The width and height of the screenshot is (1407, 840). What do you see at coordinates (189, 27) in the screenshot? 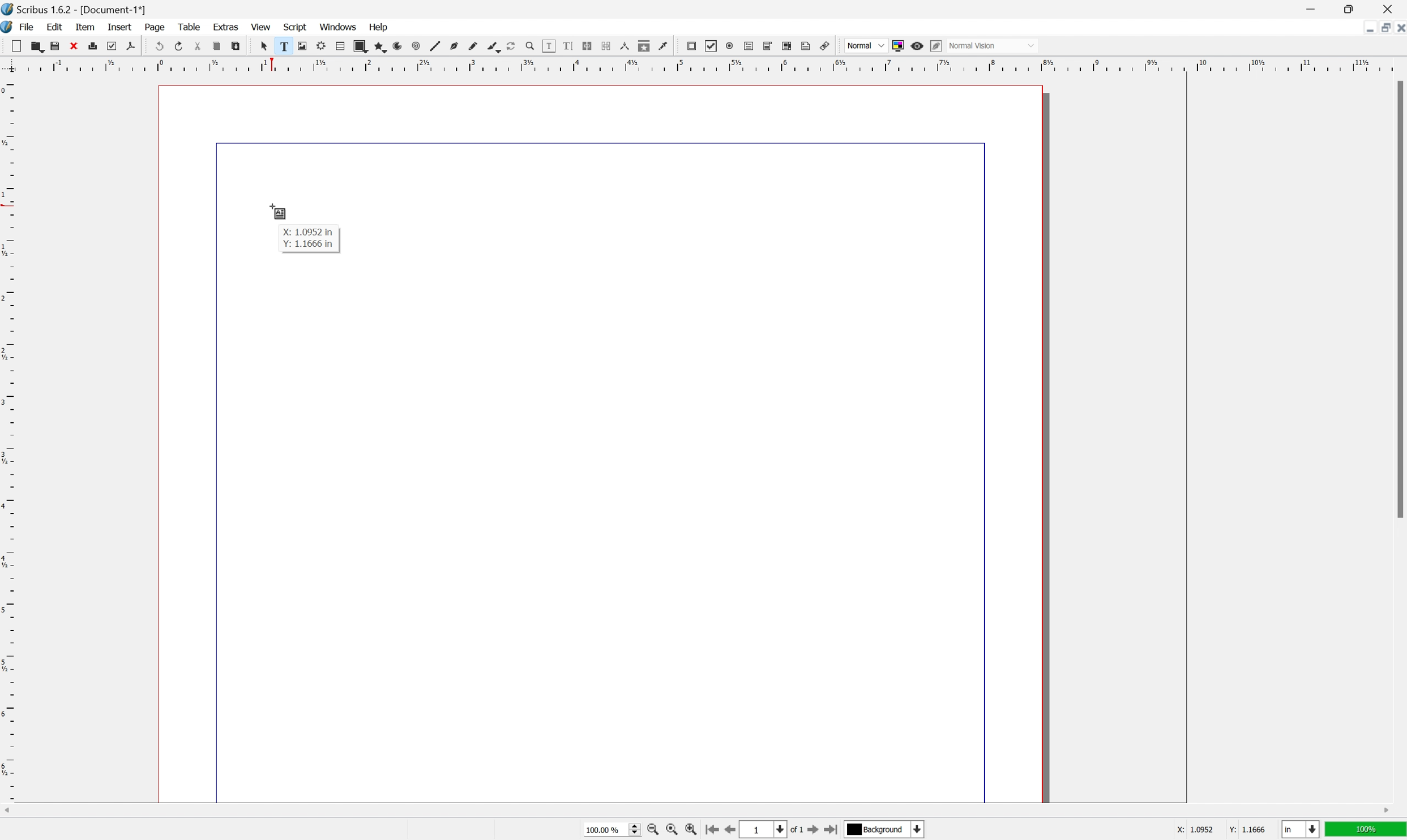
I see `table` at bounding box center [189, 27].